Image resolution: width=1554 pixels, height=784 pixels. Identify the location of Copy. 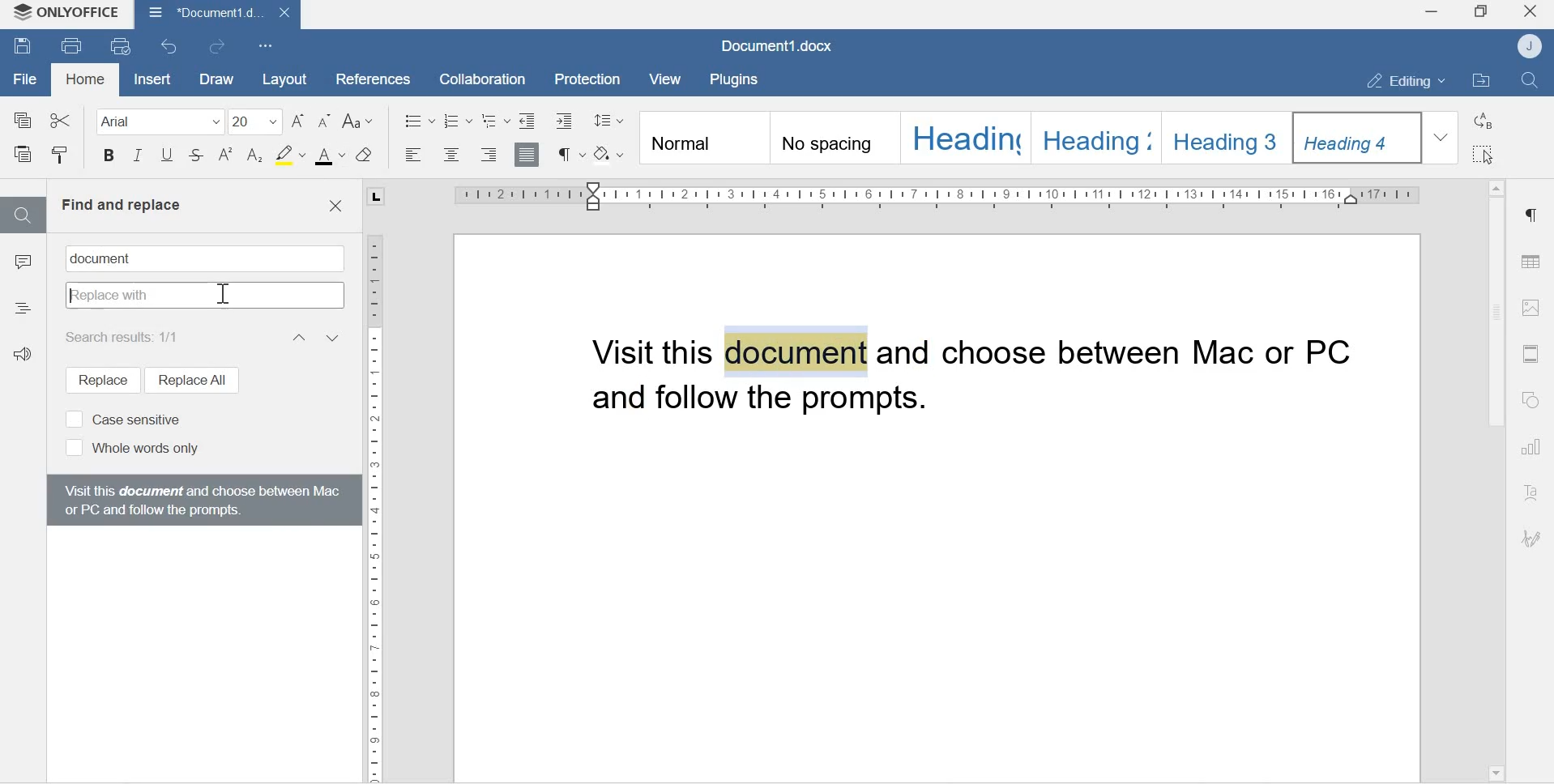
(23, 119).